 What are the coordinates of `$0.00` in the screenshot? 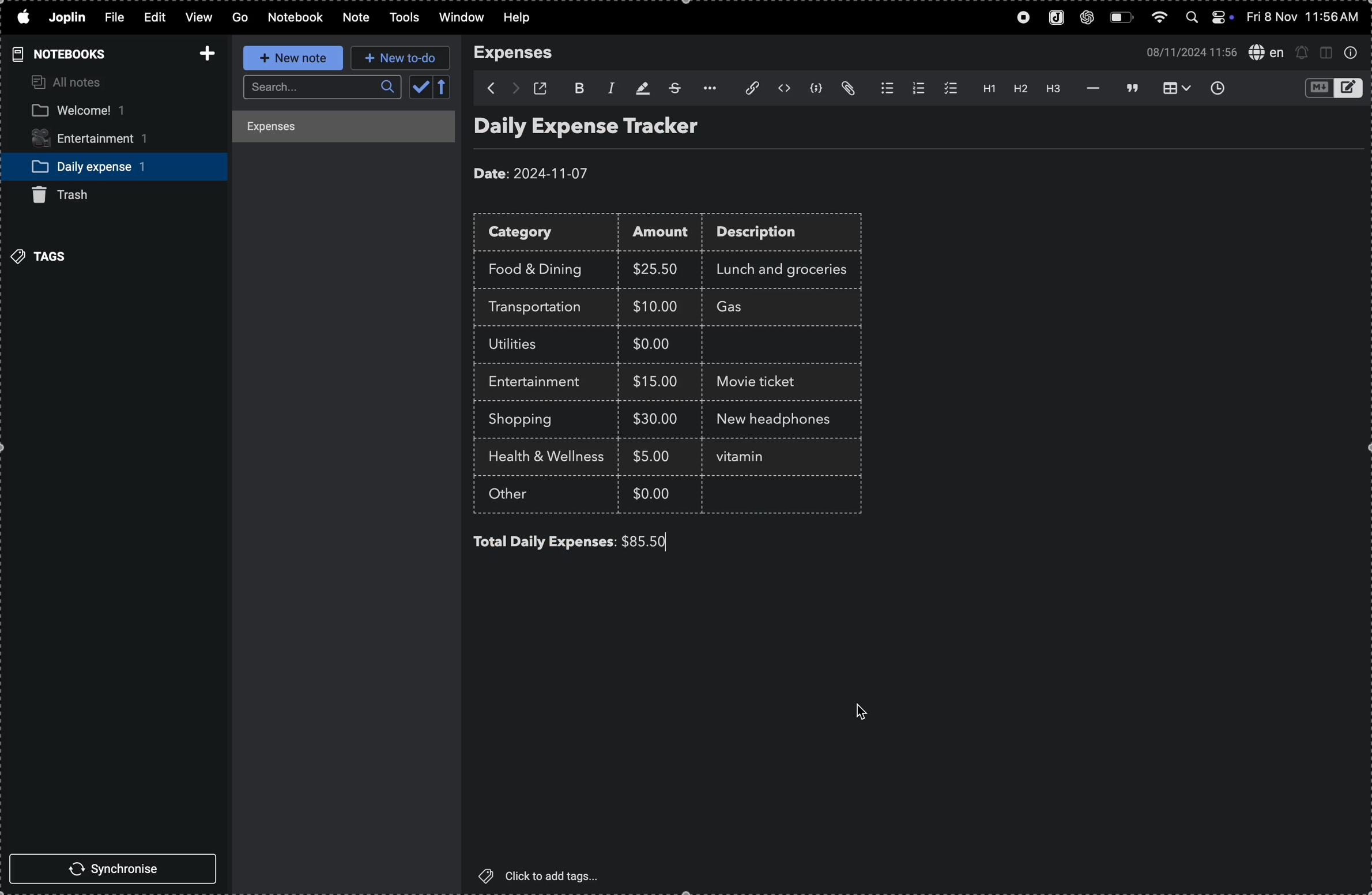 It's located at (659, 346).